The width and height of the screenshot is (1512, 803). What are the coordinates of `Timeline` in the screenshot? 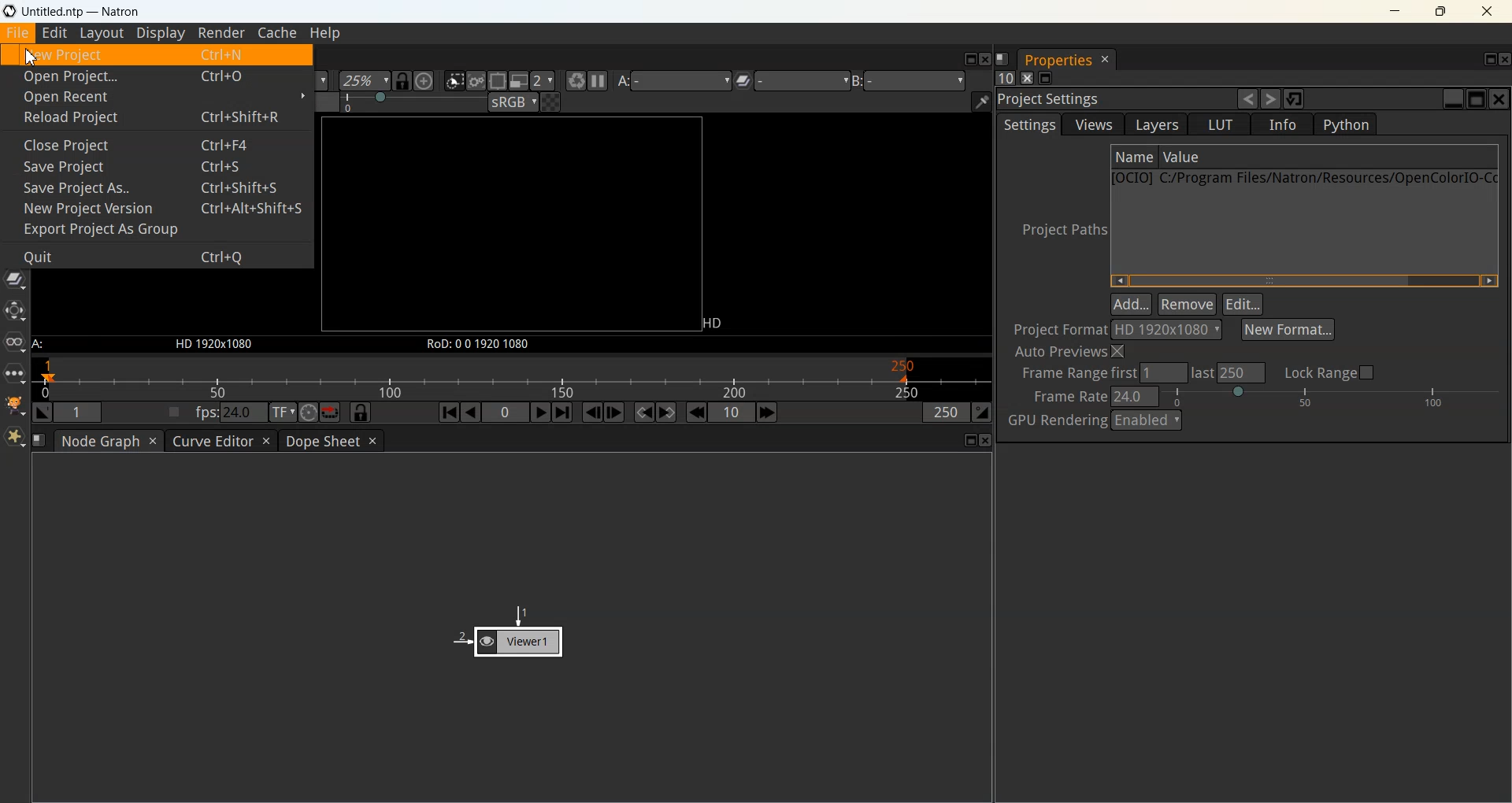 It's located at (512, 378).